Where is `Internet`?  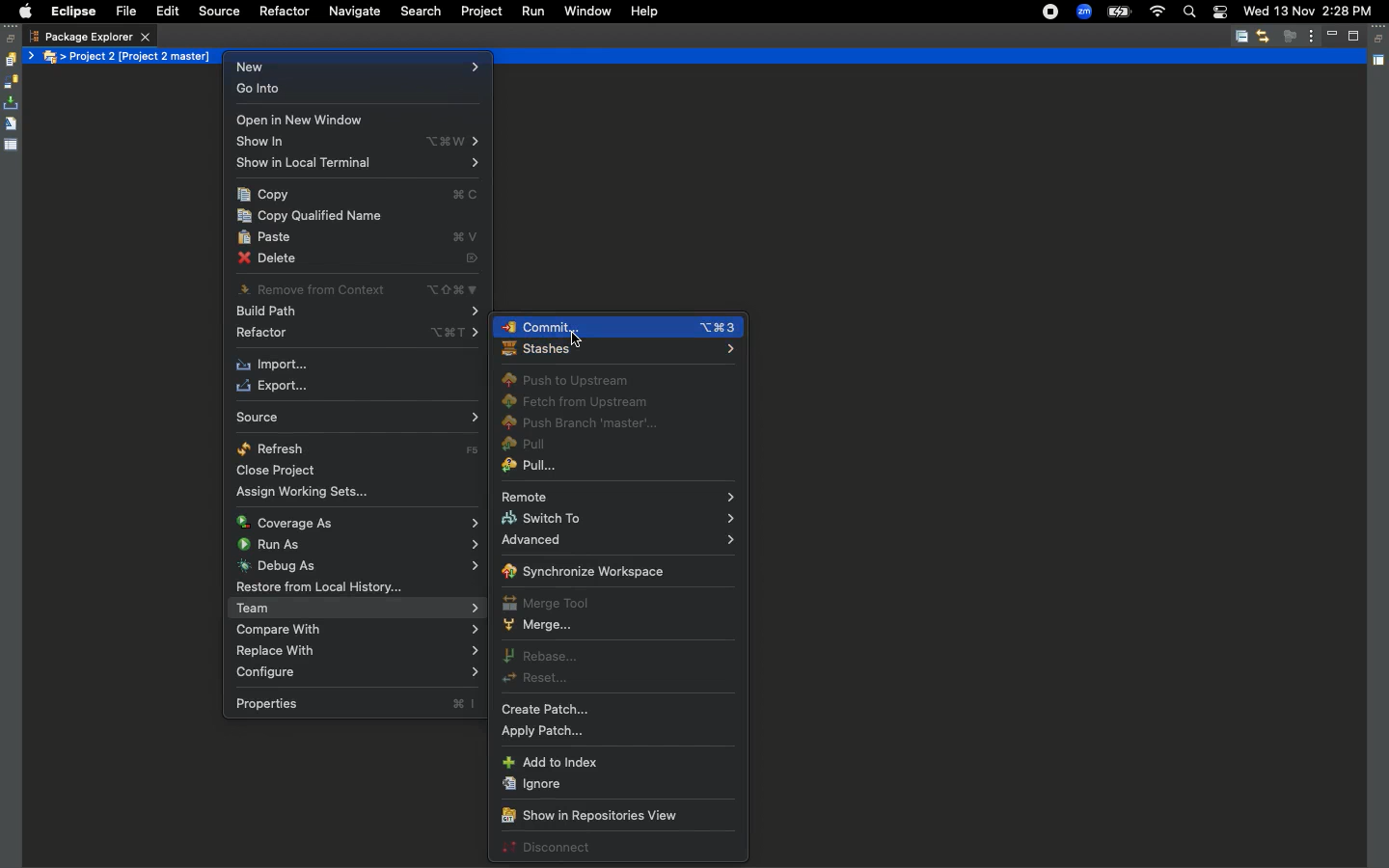
Internet is located at coordinates (1157, 13).